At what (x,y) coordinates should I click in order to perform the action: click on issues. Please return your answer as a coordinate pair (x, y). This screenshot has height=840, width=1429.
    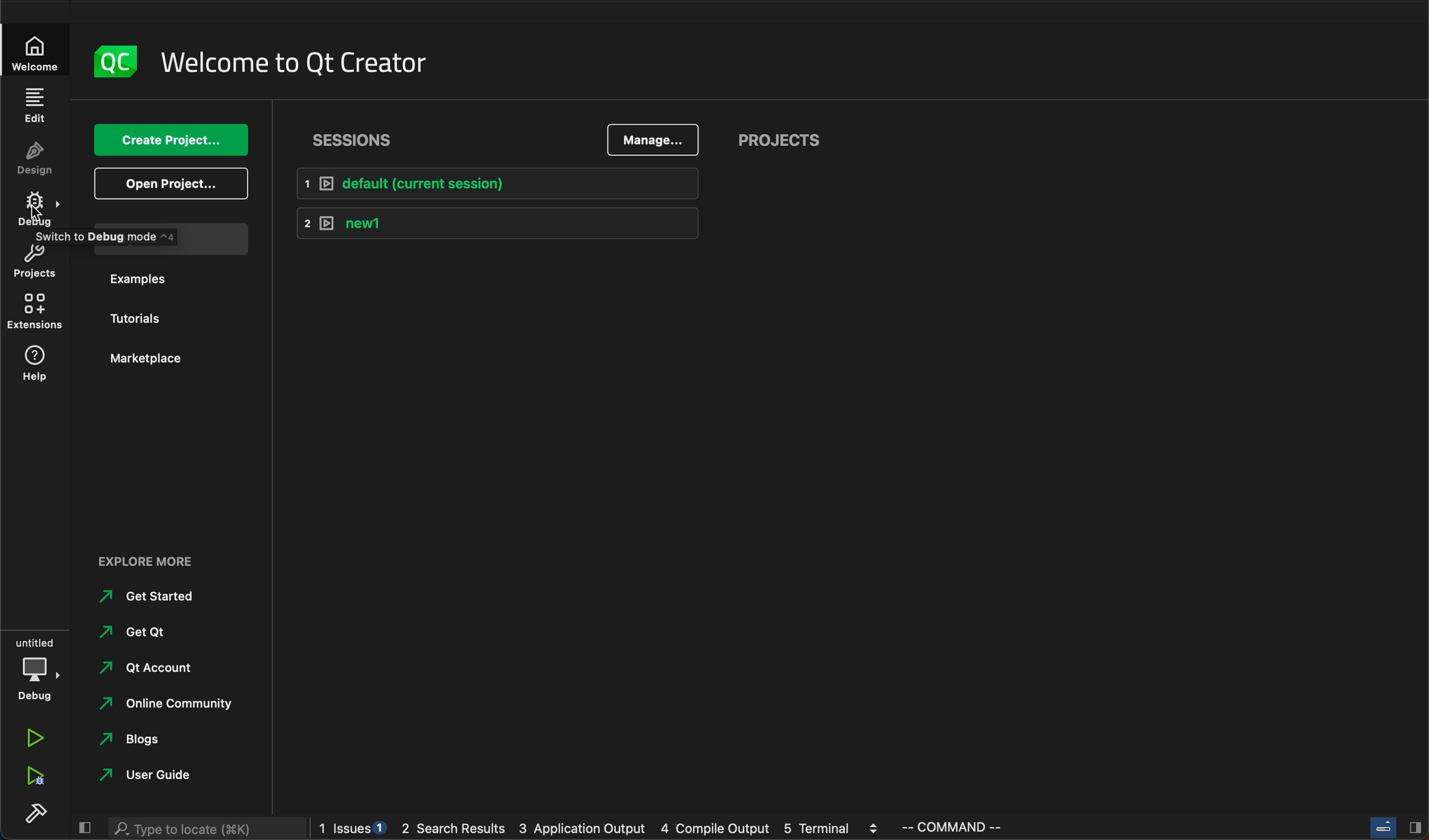
    Looking at the image, I should click on (355, 829).